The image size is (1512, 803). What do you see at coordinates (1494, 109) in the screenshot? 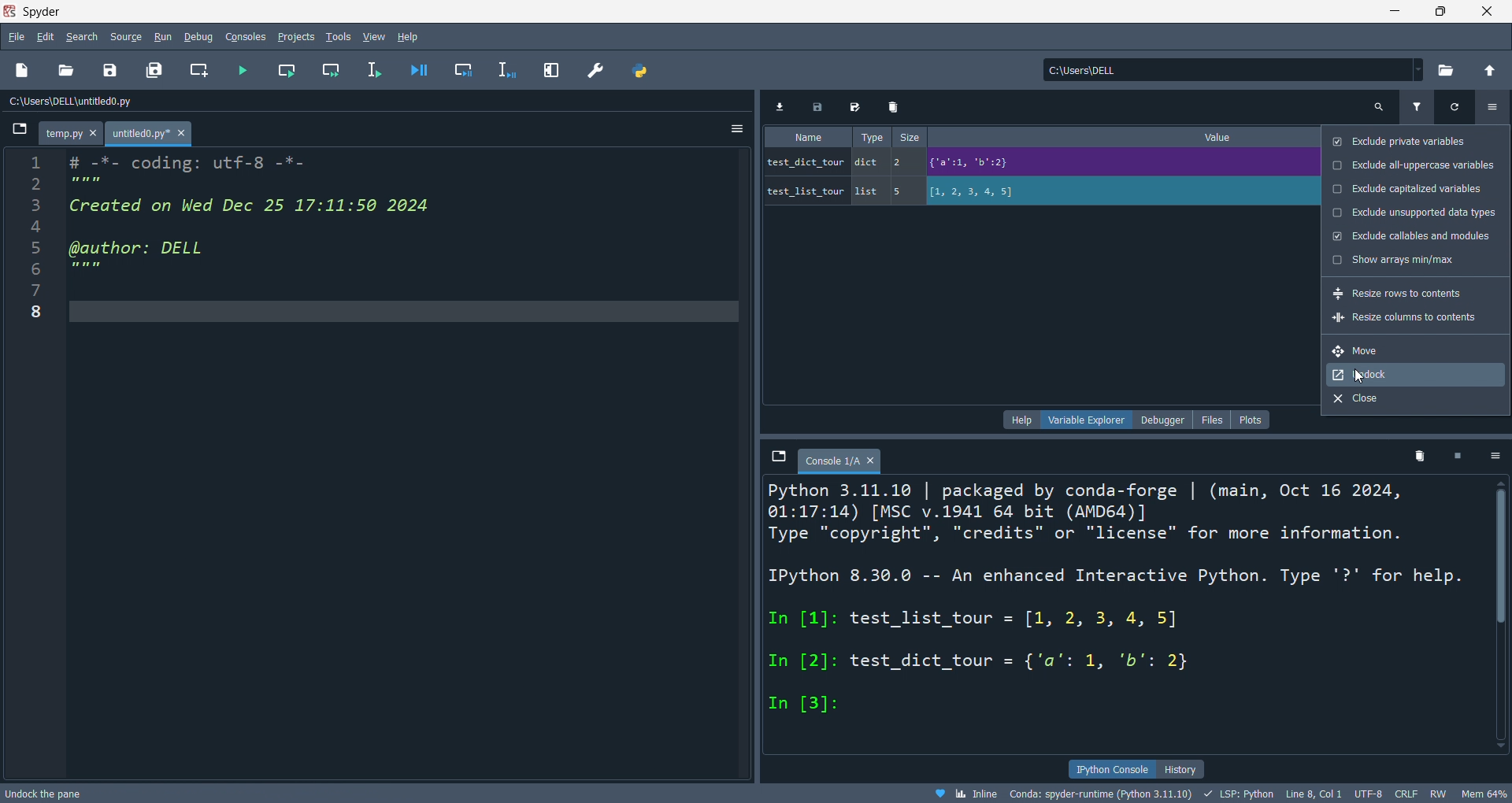
I see `options` at bounding box center [1494, 109].